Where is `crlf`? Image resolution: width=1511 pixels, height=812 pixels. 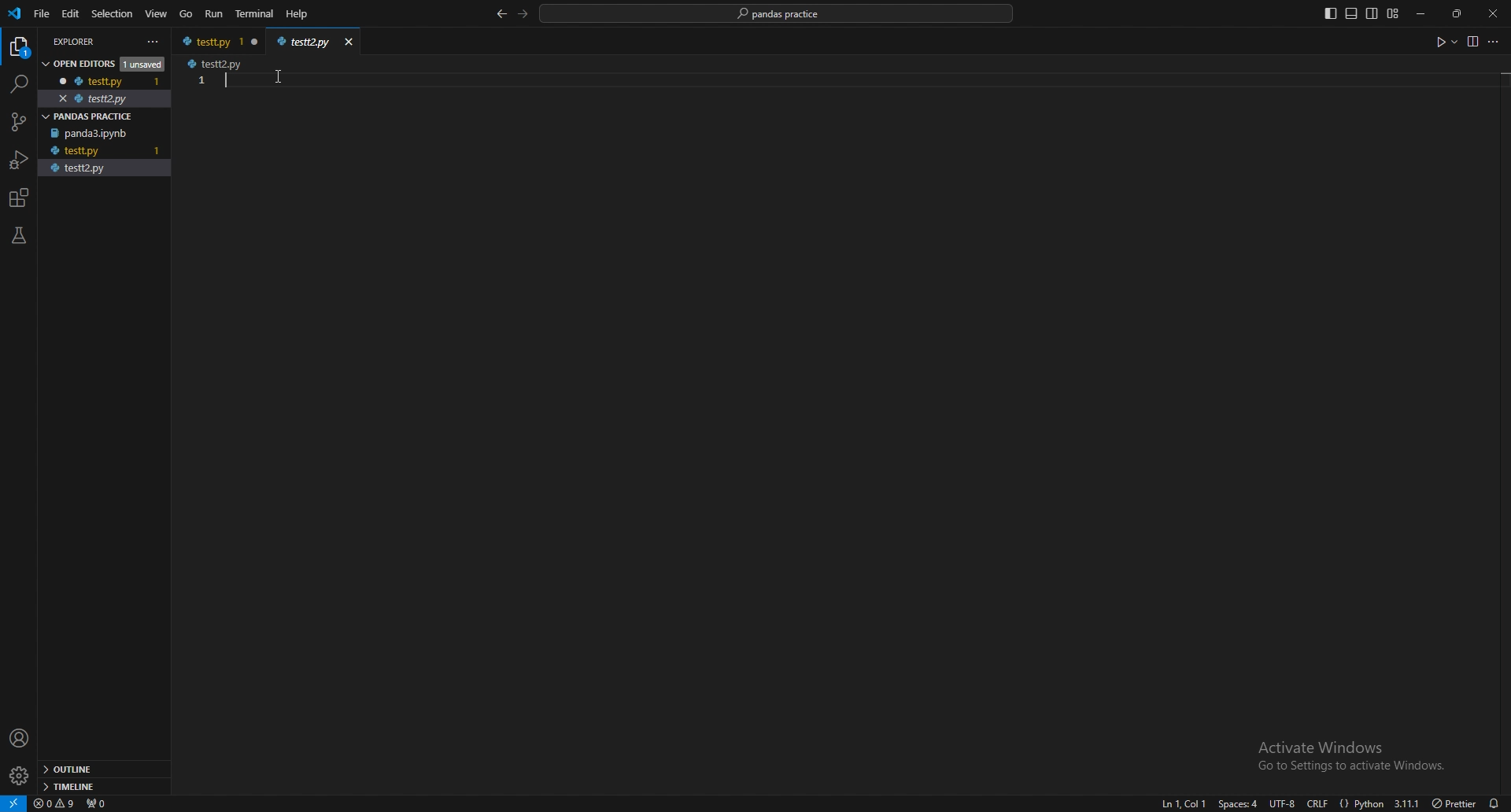 crlf is located at coordinates (1319, 803).